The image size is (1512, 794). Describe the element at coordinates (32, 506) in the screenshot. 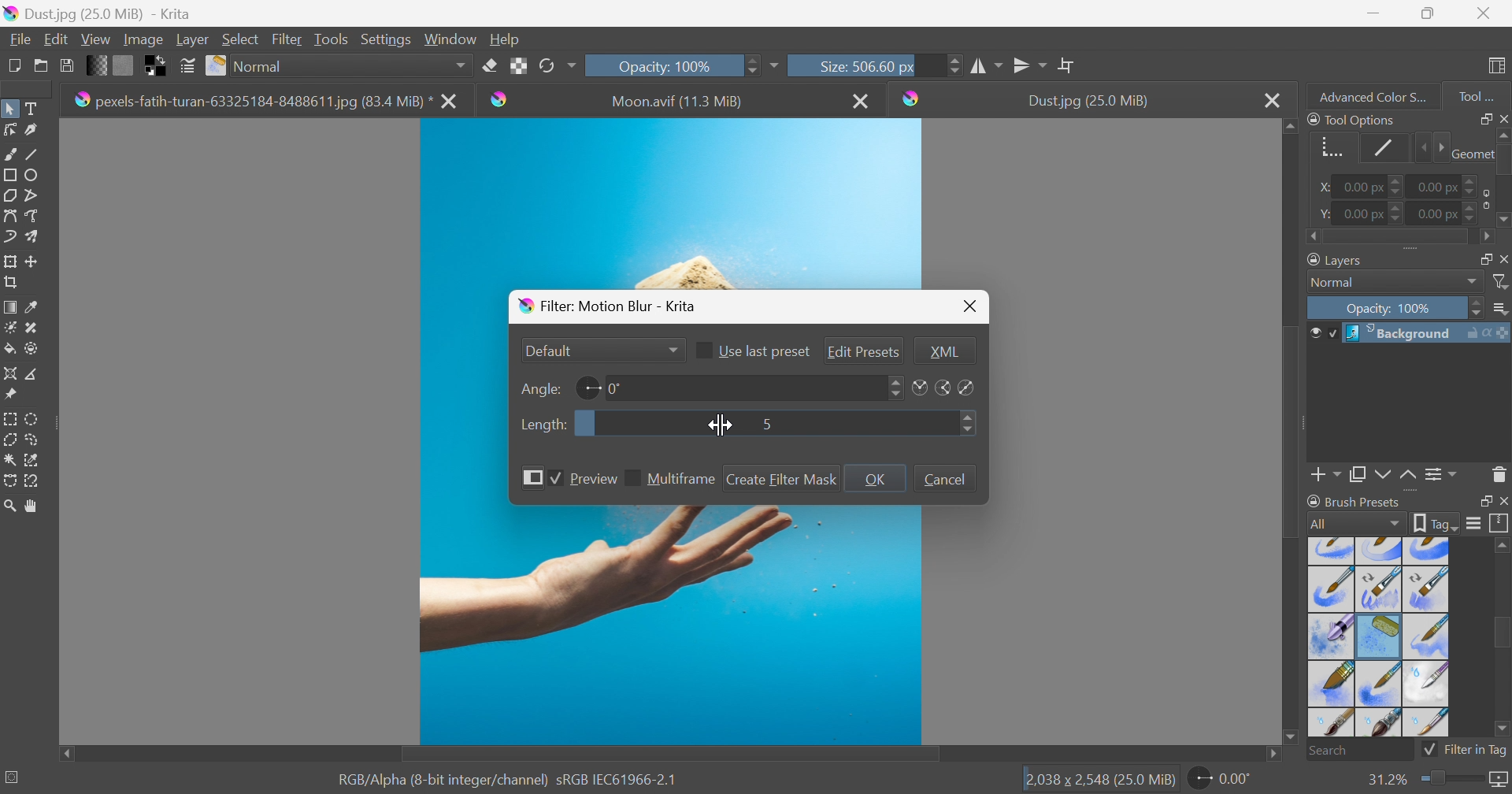

I see `Pan tool` at that location.